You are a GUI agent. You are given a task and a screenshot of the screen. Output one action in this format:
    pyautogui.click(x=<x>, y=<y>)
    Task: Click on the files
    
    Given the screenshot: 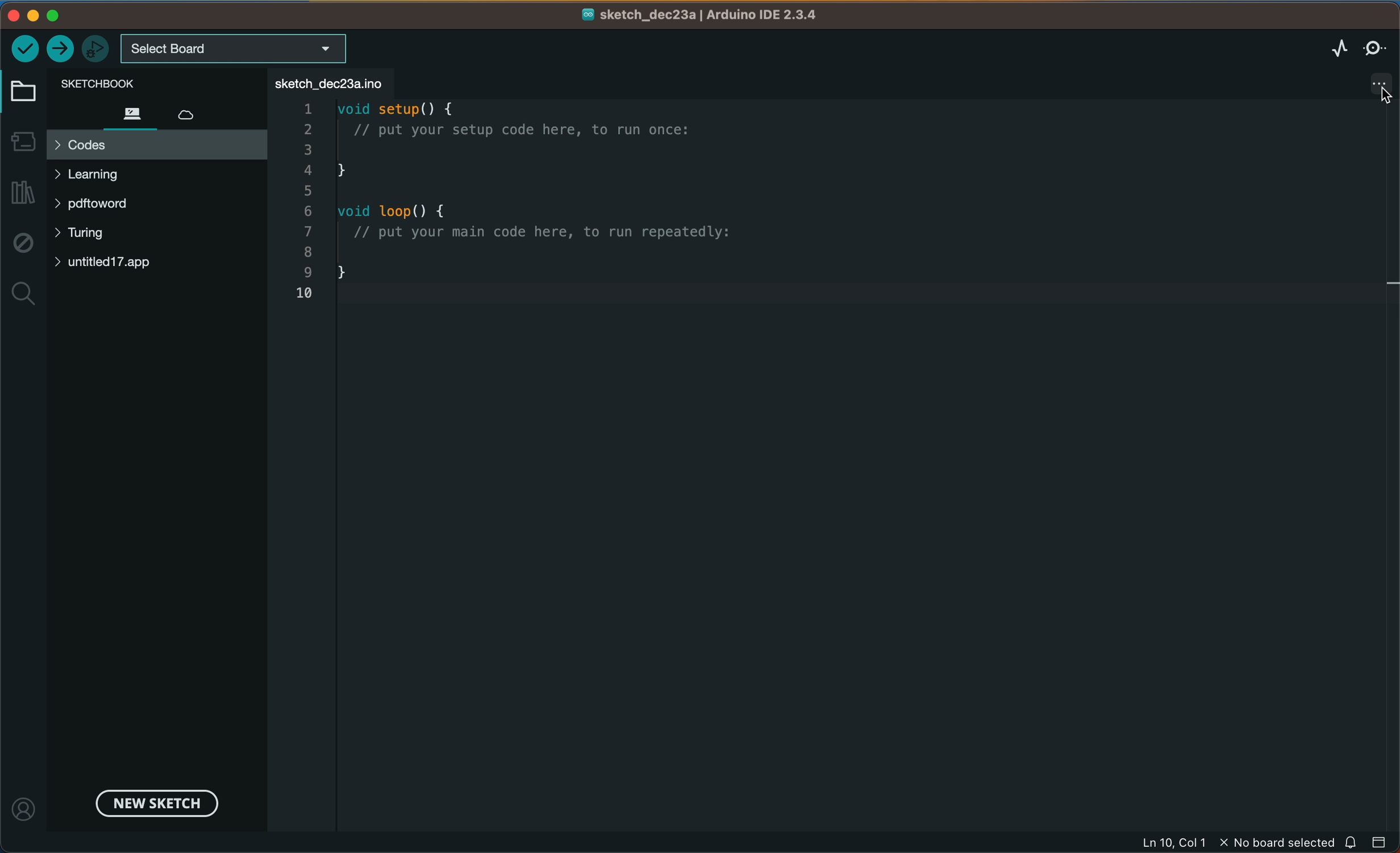 What is the action you would take?
    pyautogui.click(x=131, y=113)
    